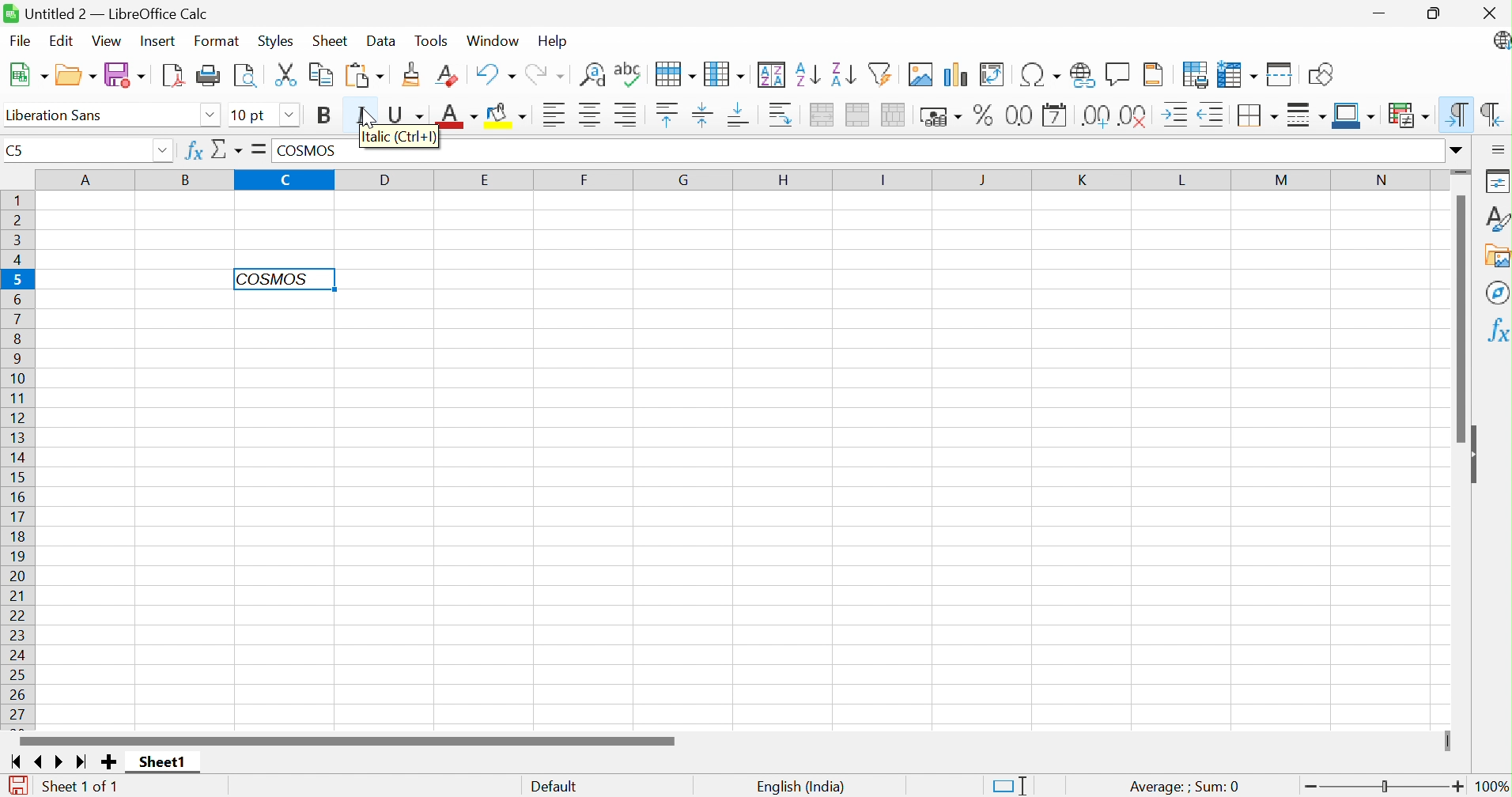  What do you see at coordinates (43, 760) in the screenshot?
I see `Scroll to previous sheet` at bounding box center [43, 760].